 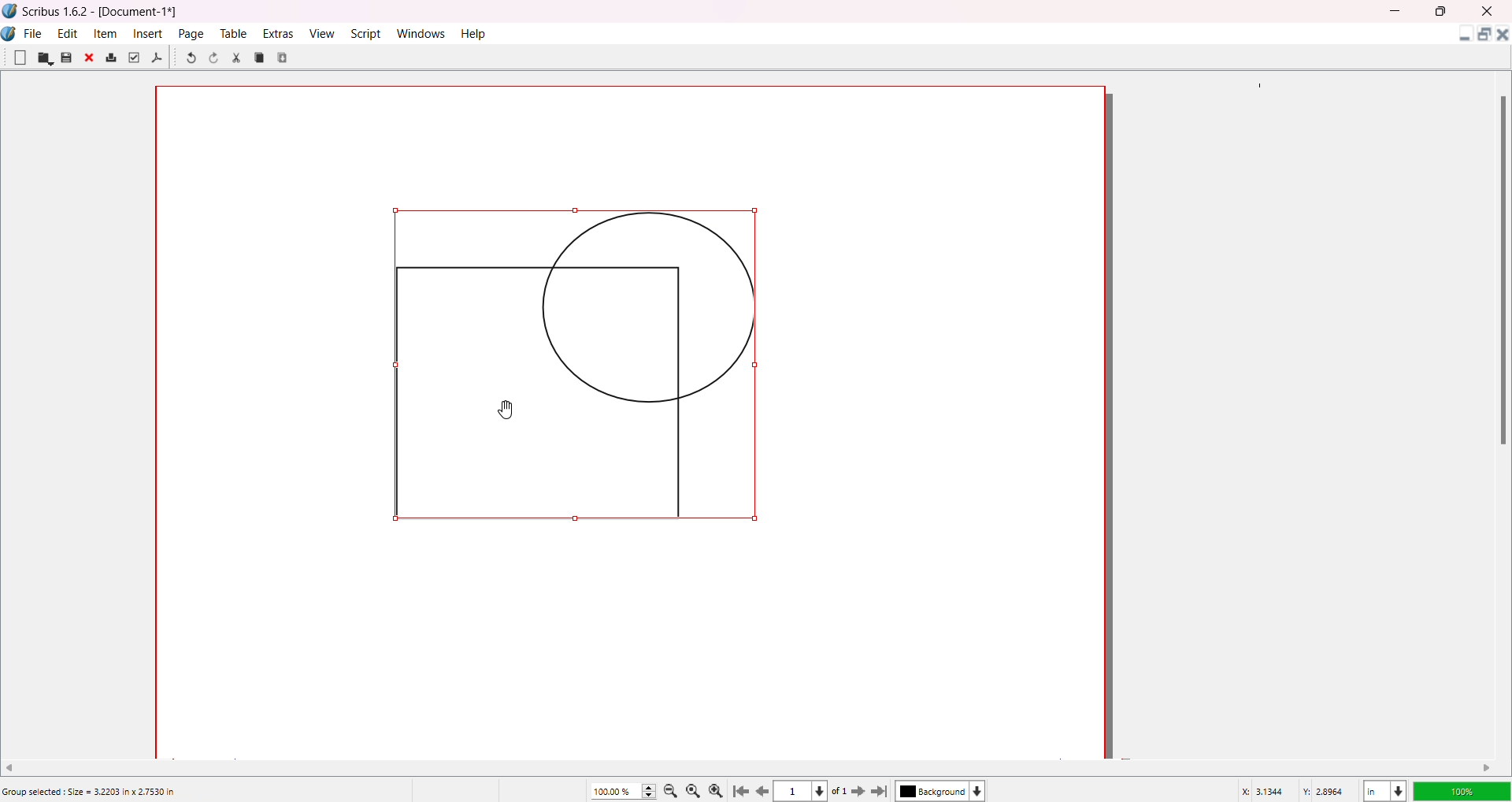 What do you see at coordinates (34, 32) in the screenshot?
I see `File` at bounding box center [34, 32].